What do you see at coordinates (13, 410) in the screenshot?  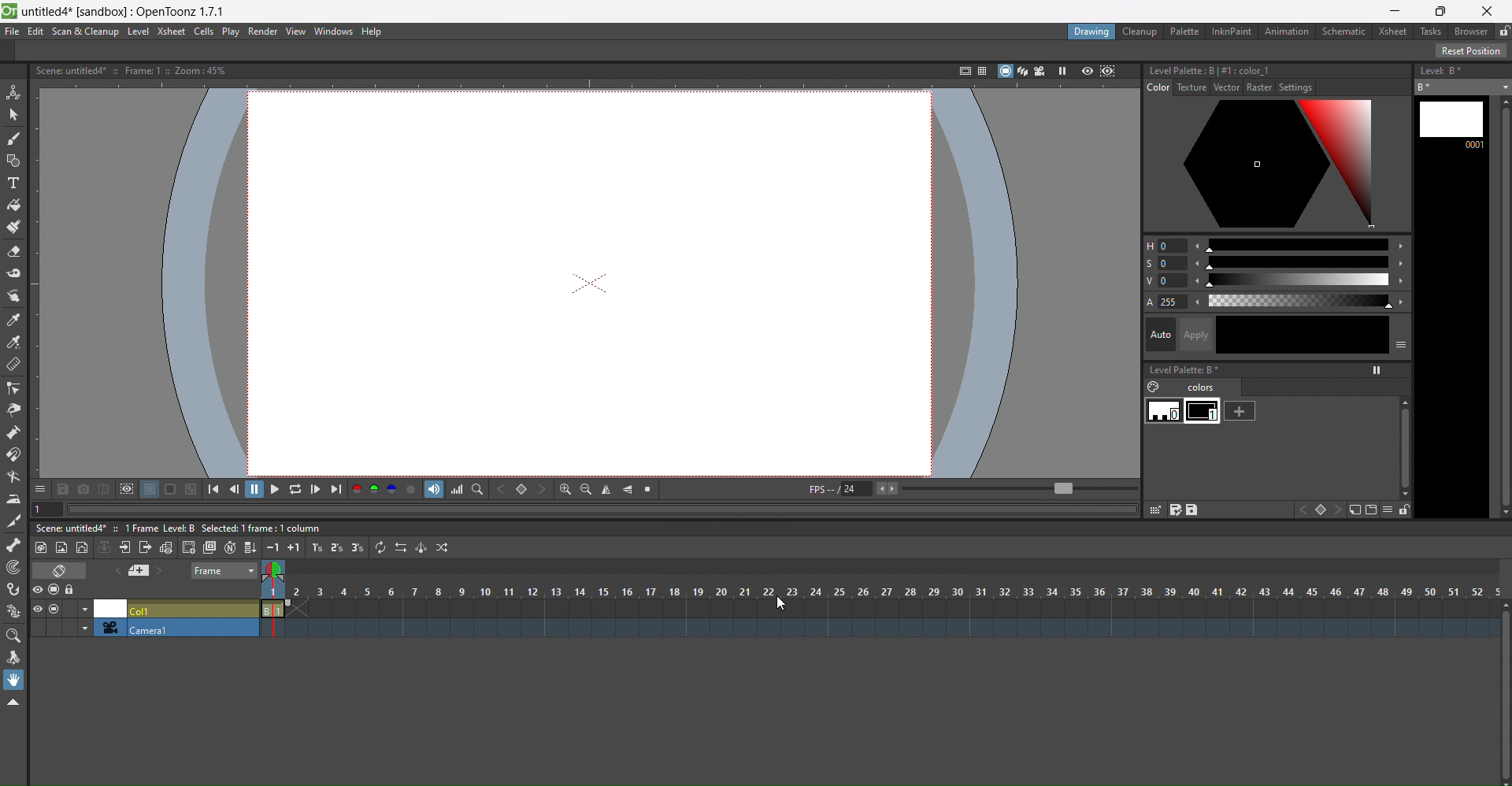 I see `pinch tool` at bounding box center [13, 410].